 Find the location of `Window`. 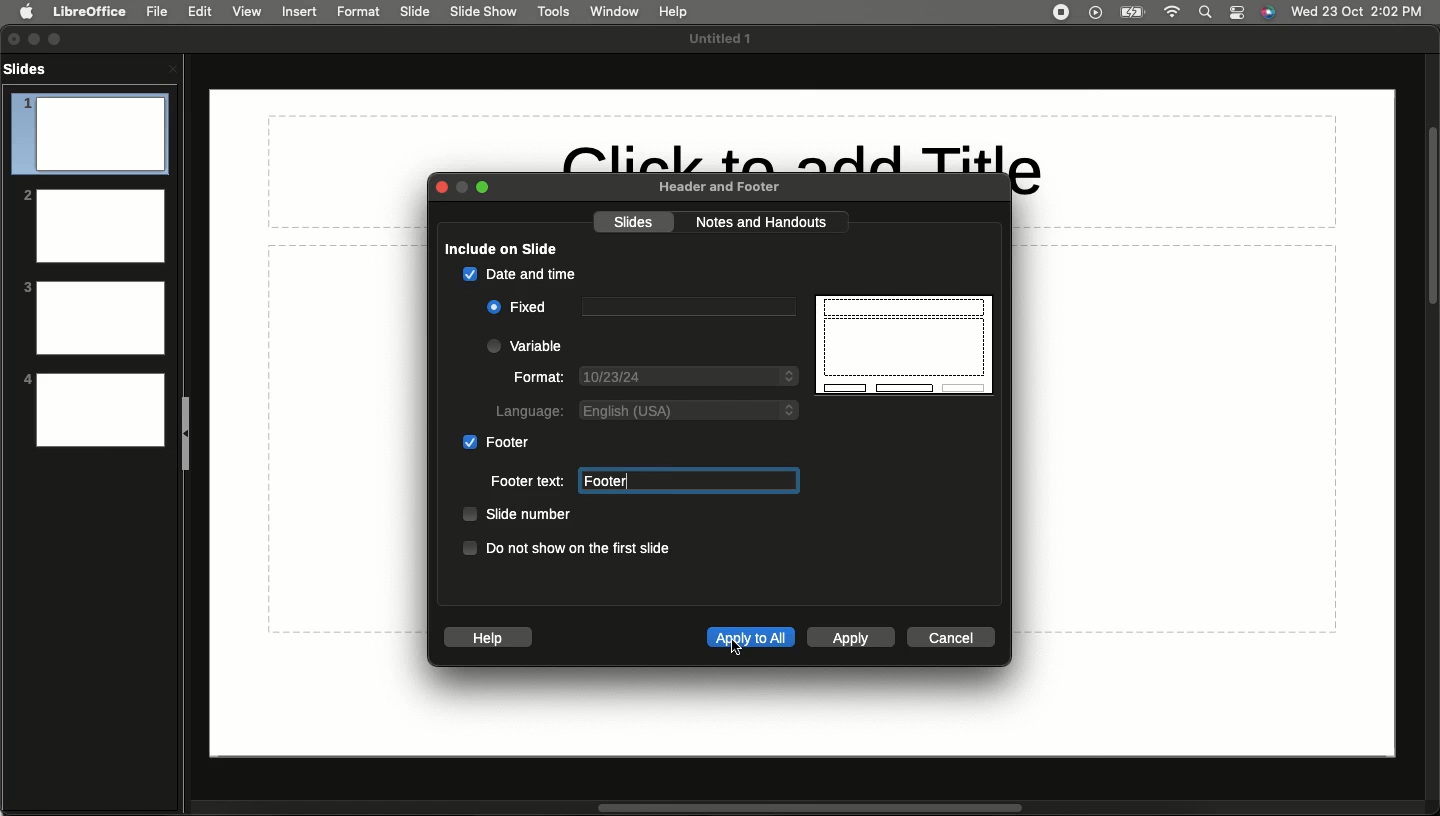

Window is located at coordinates (611, 11).